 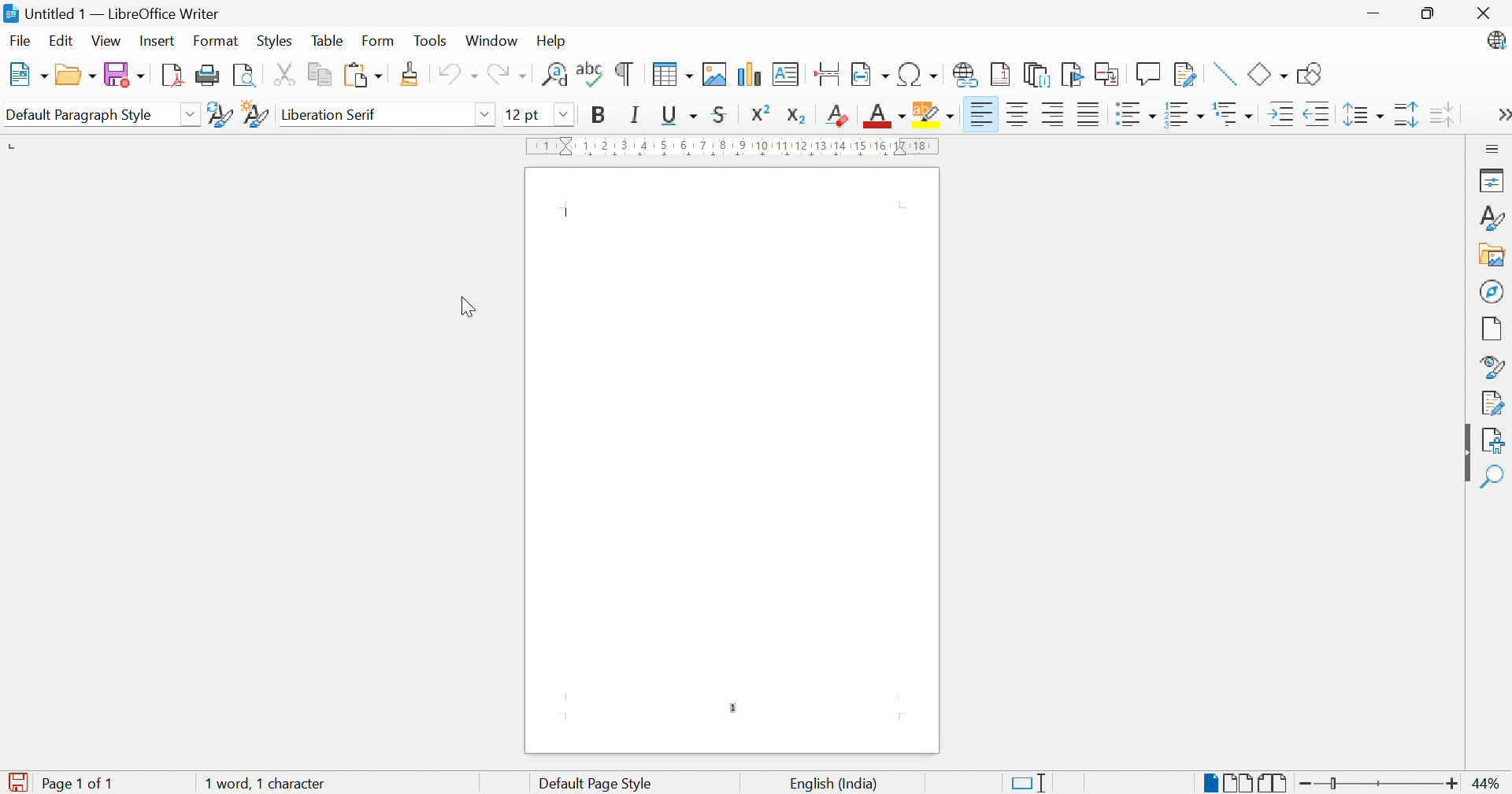 I want to click on More, so click(x=1501, y=115).